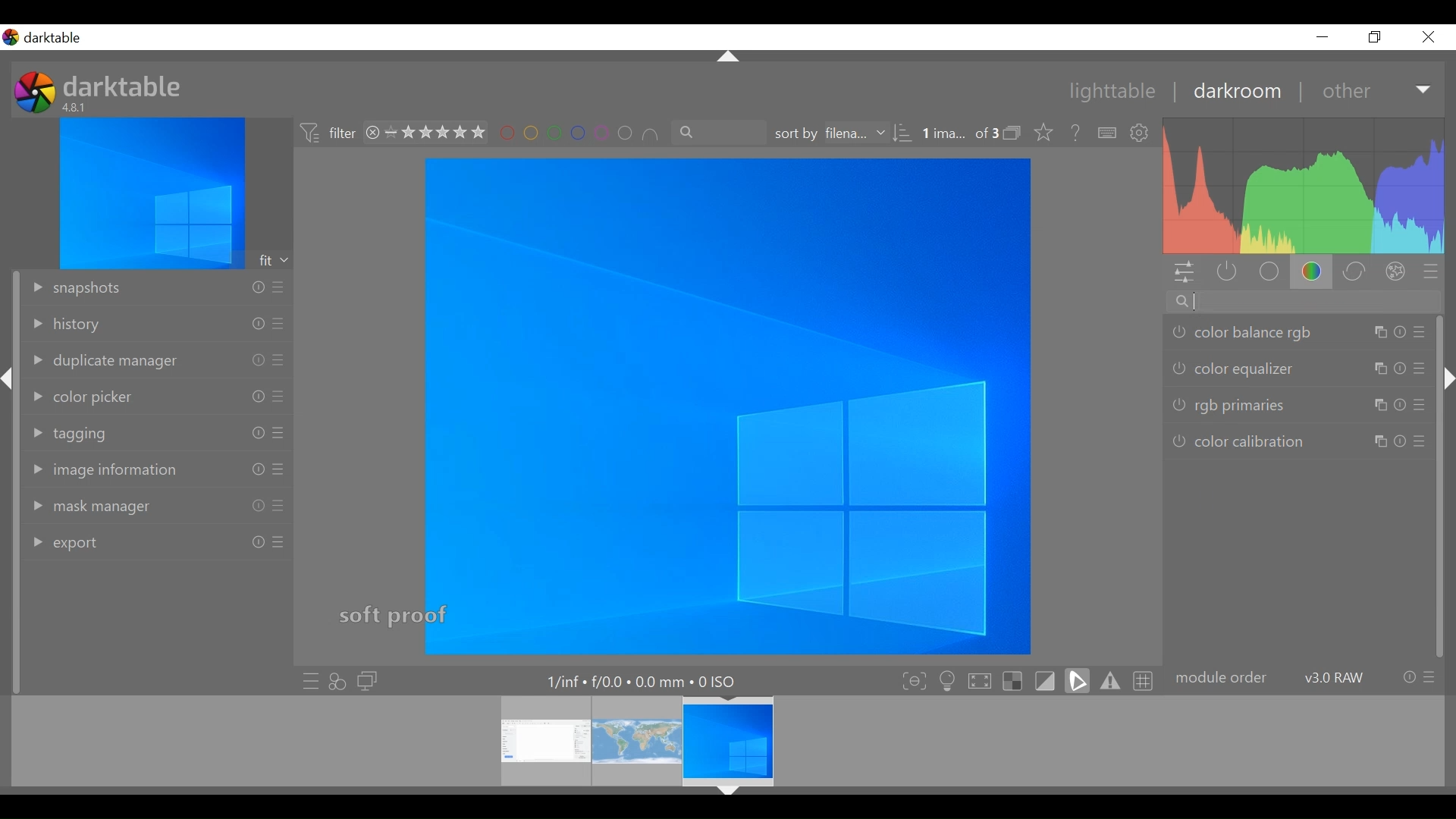  Describe the element at coordinates (257, 324) in the screenshot. I see `info` at that location.